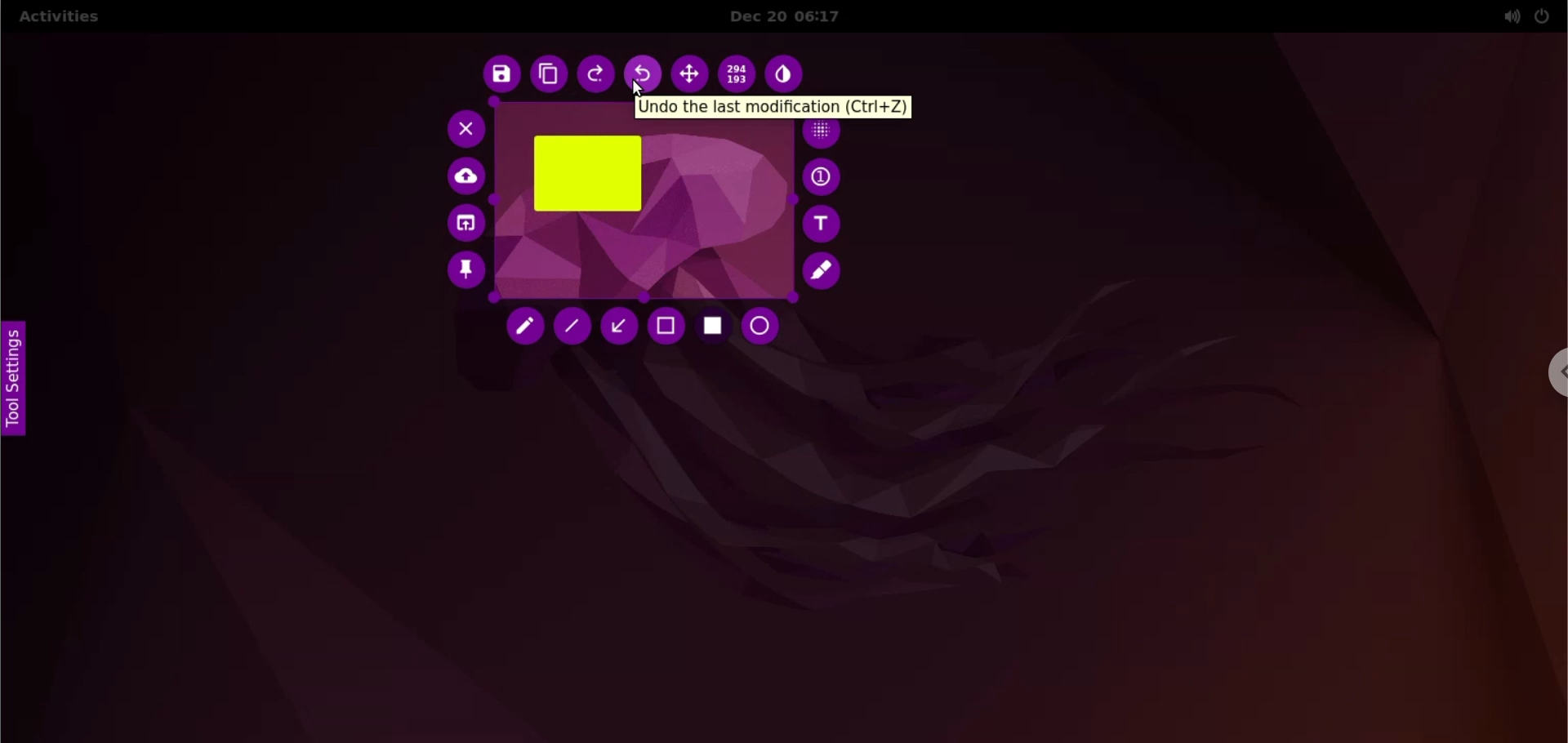 The height and width of the screenshot is (743, 1568). Describe the element at coordinates (587, 173) in the screenshot. I see `rectangle` at that location.